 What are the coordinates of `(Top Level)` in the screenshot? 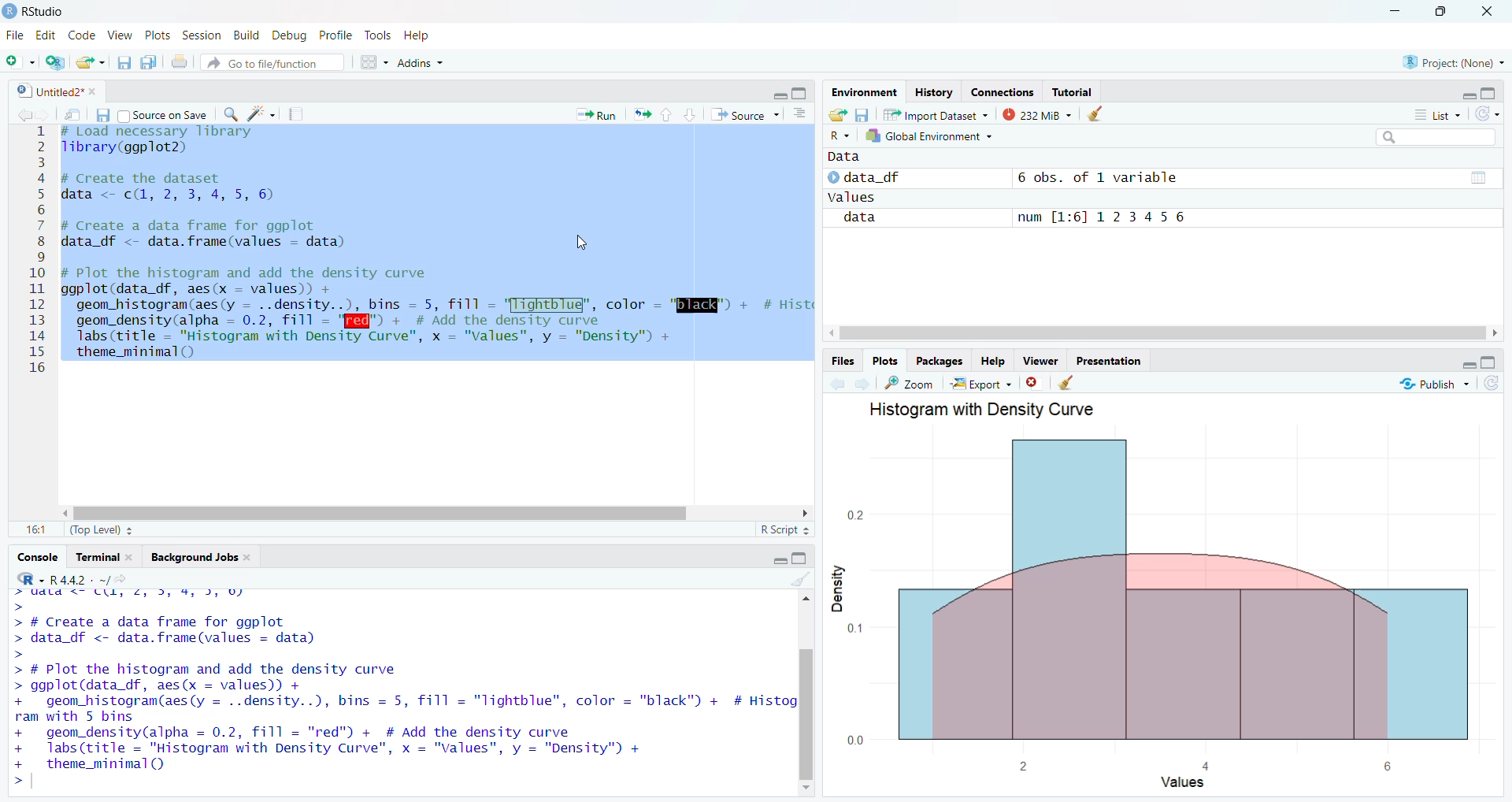 It's located at (101, 529).